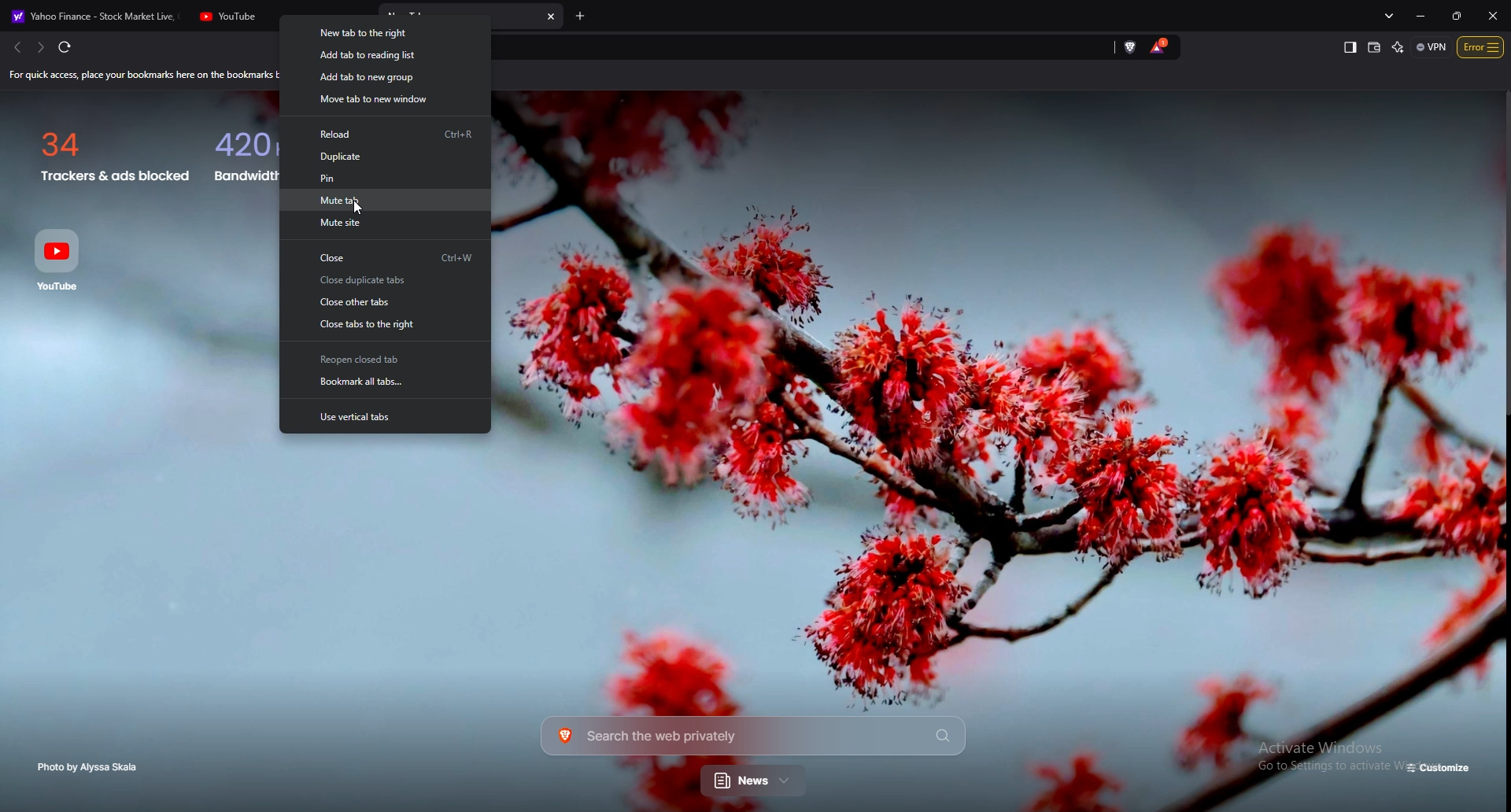 The width and height of the screenshot is (1511, 812). What do you see at coordinates (1160, 46) in the screenshot?
I see `brave tokens` at bounding box center [1160, 46].